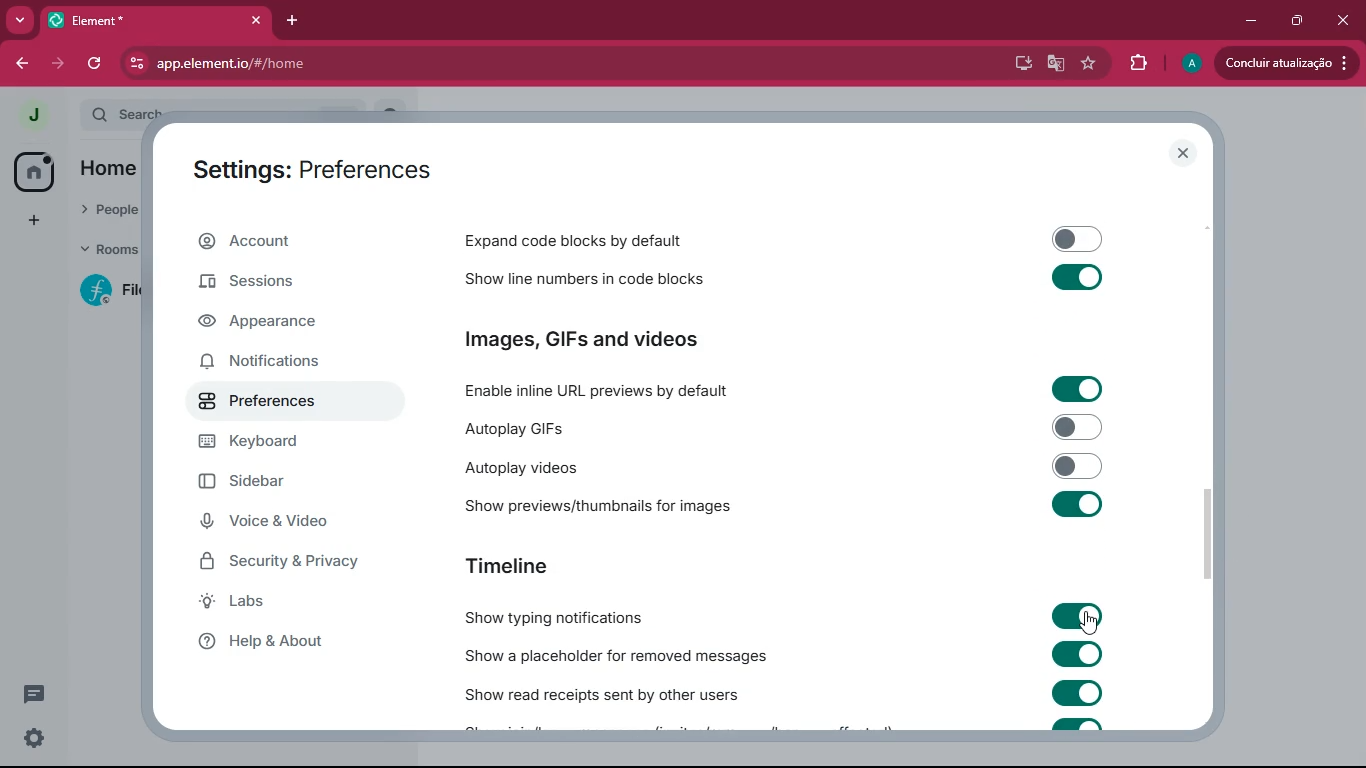 The width and height of the screenshot is (1366, 768). I want to click on refresh, so click(94, 65).